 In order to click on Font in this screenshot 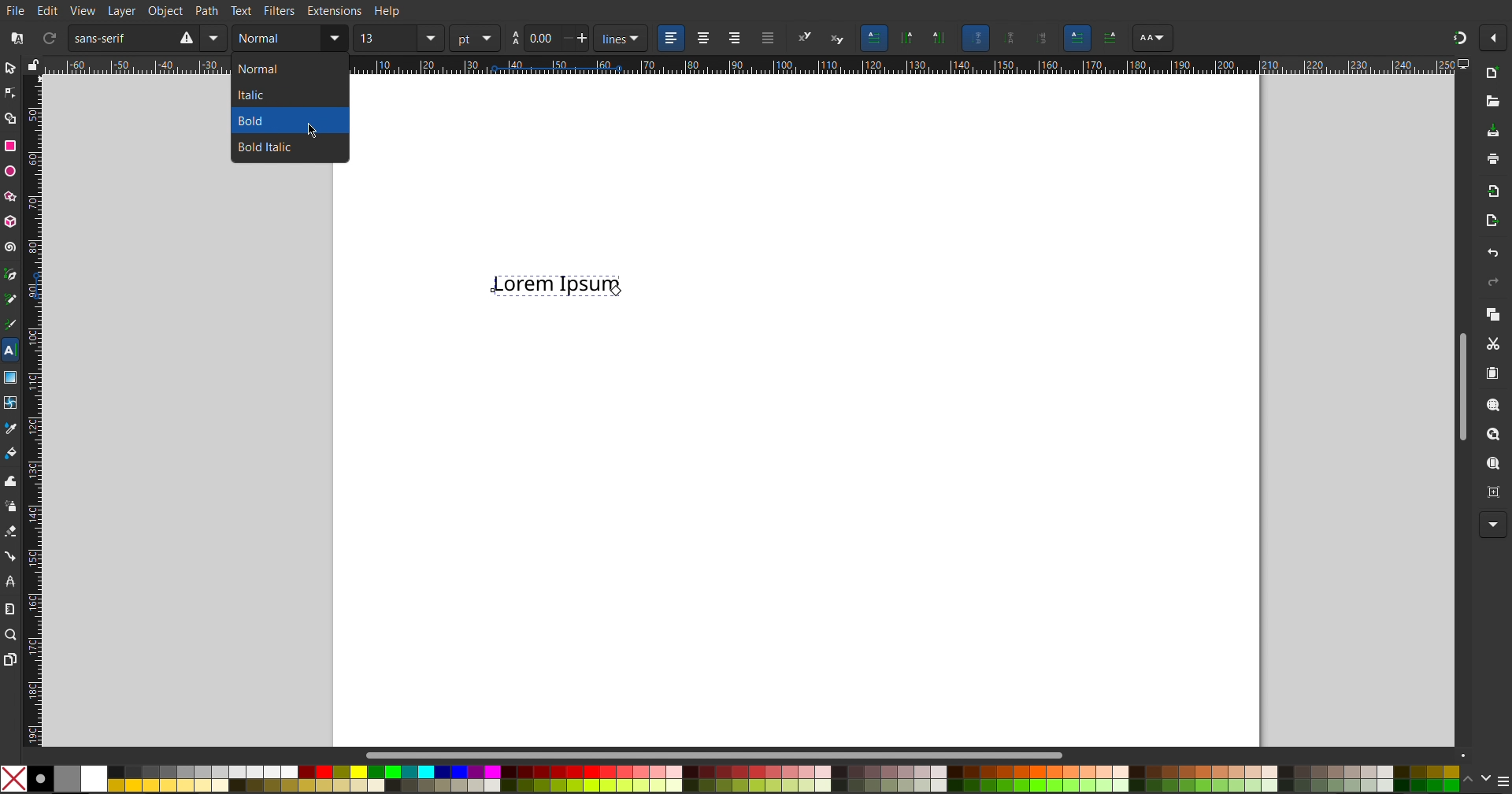, I will do `click(146, 39)`.